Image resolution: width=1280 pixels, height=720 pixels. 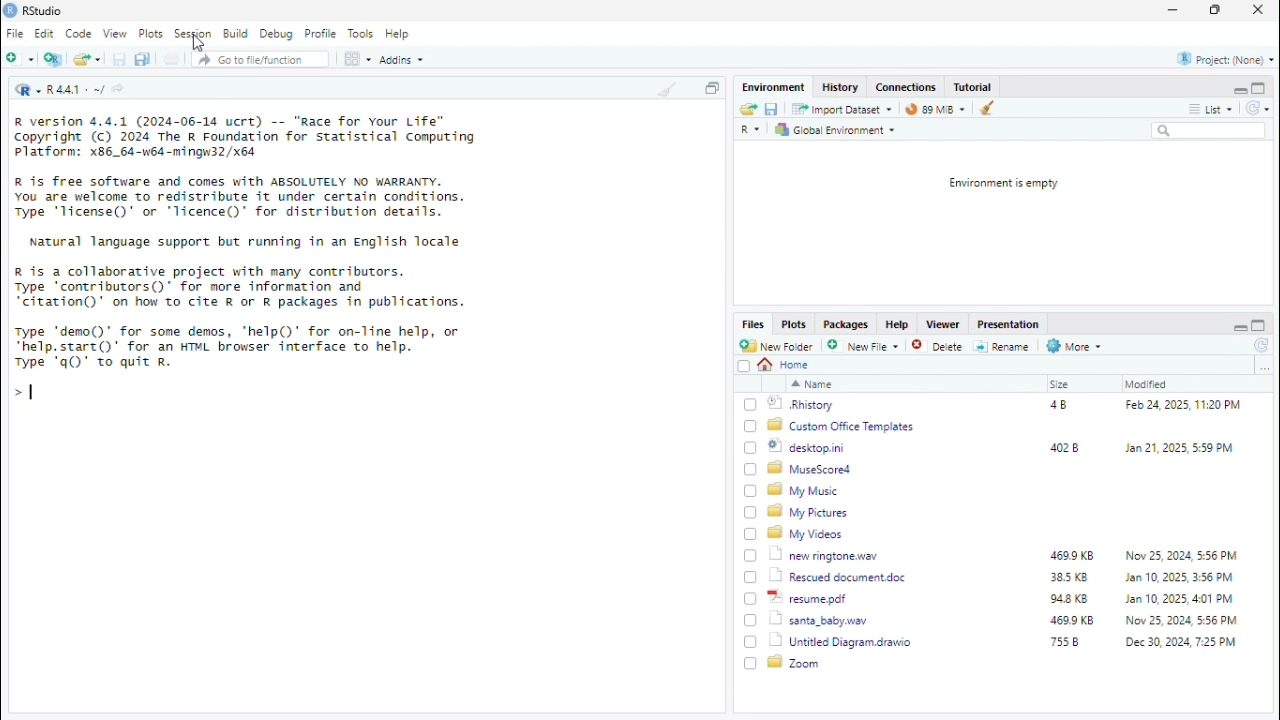 I want to click on maximise, so click(x=1215, y=9).